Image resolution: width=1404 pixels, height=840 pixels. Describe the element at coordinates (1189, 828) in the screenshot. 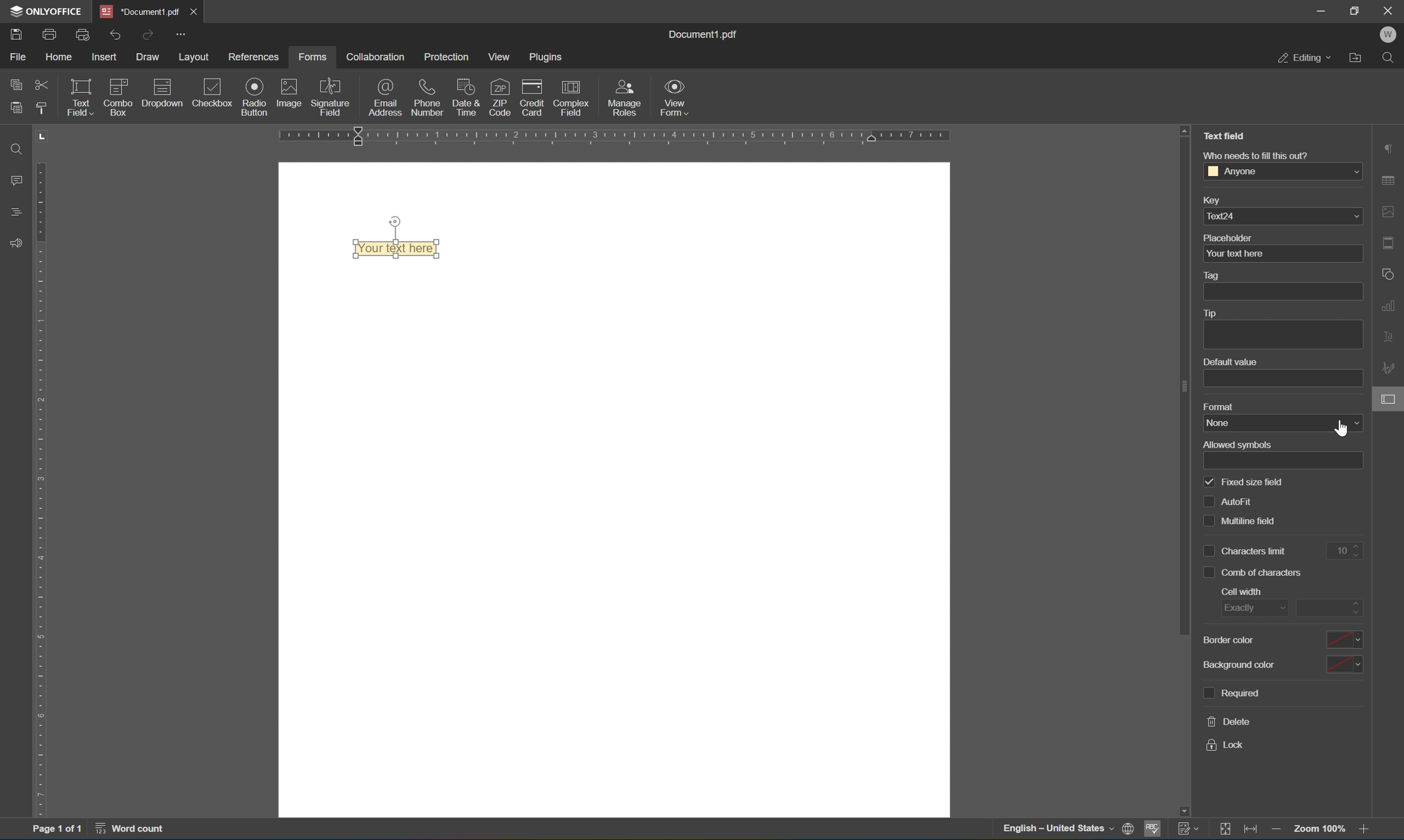

I see `track changes` at that location.